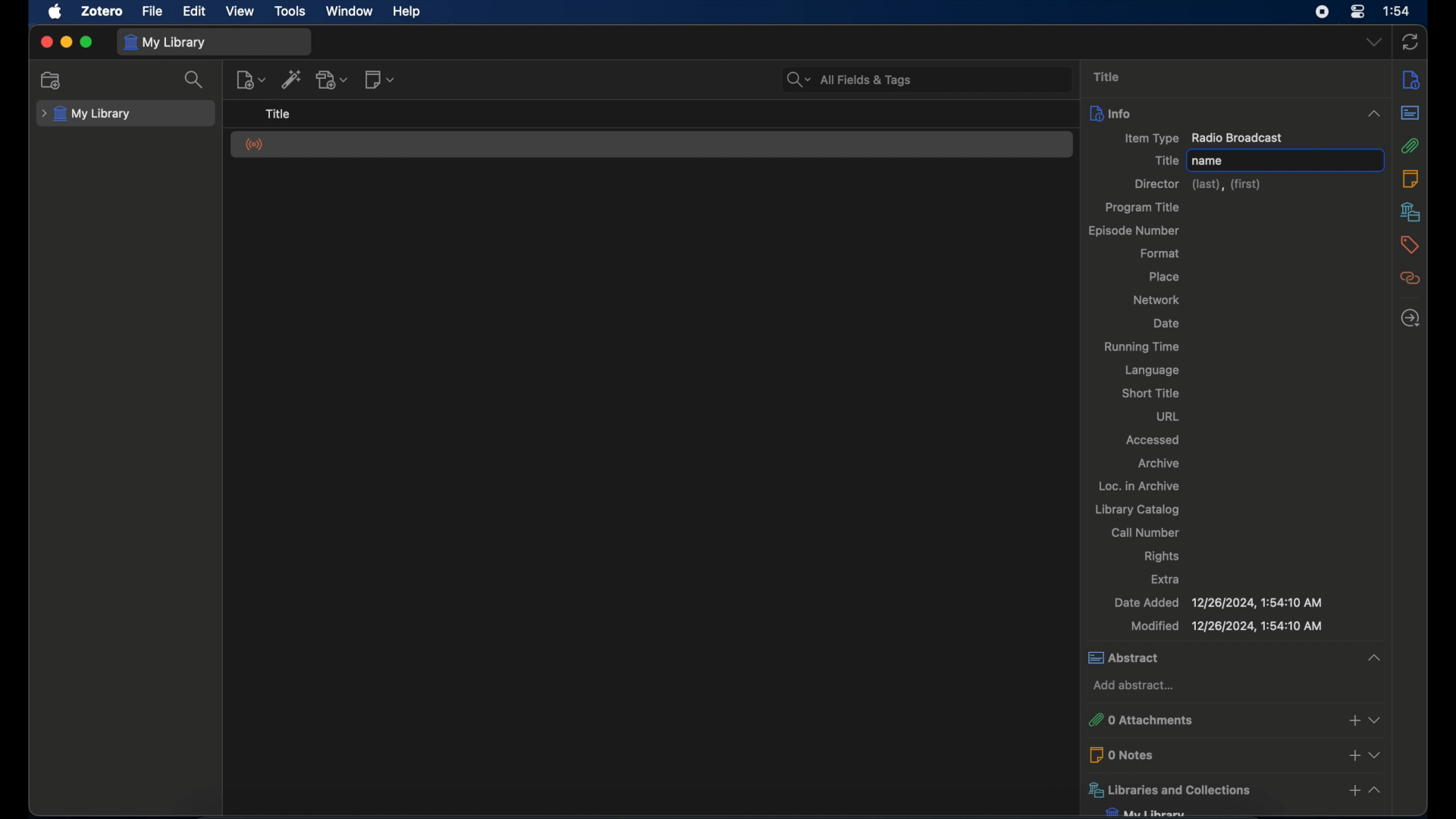 The image size is (1456, 819). What do you see at coordinates (332, 79) in the screenshot?
I see `add attachment` at bounding box center [332, 79].